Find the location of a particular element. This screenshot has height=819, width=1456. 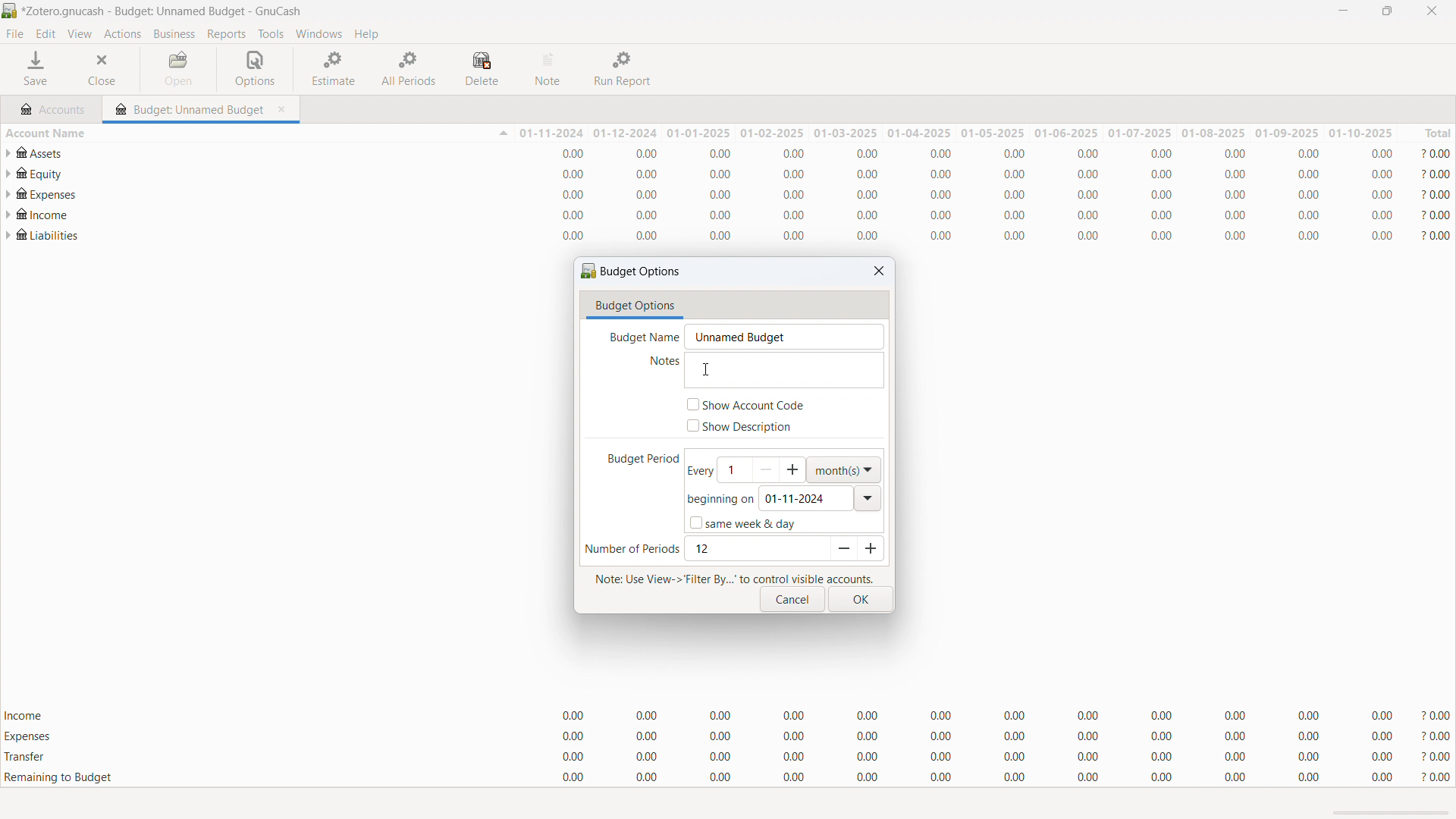

expenses total is located at coordinates (728, 736).